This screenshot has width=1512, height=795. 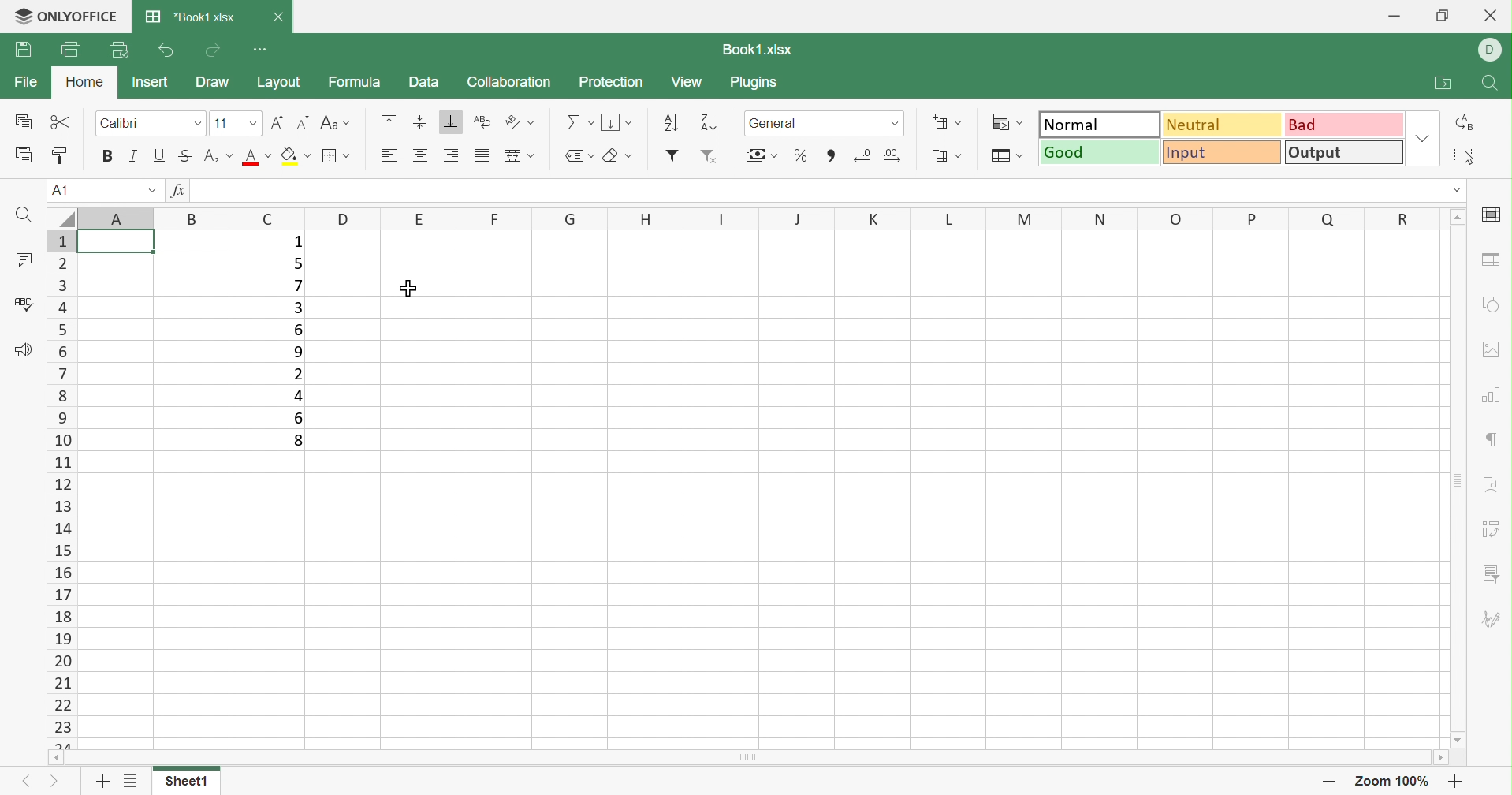 What do you see at coordinates (212, 52) in the screenshot?
I see `Redo` at bounding box center [212, 52].